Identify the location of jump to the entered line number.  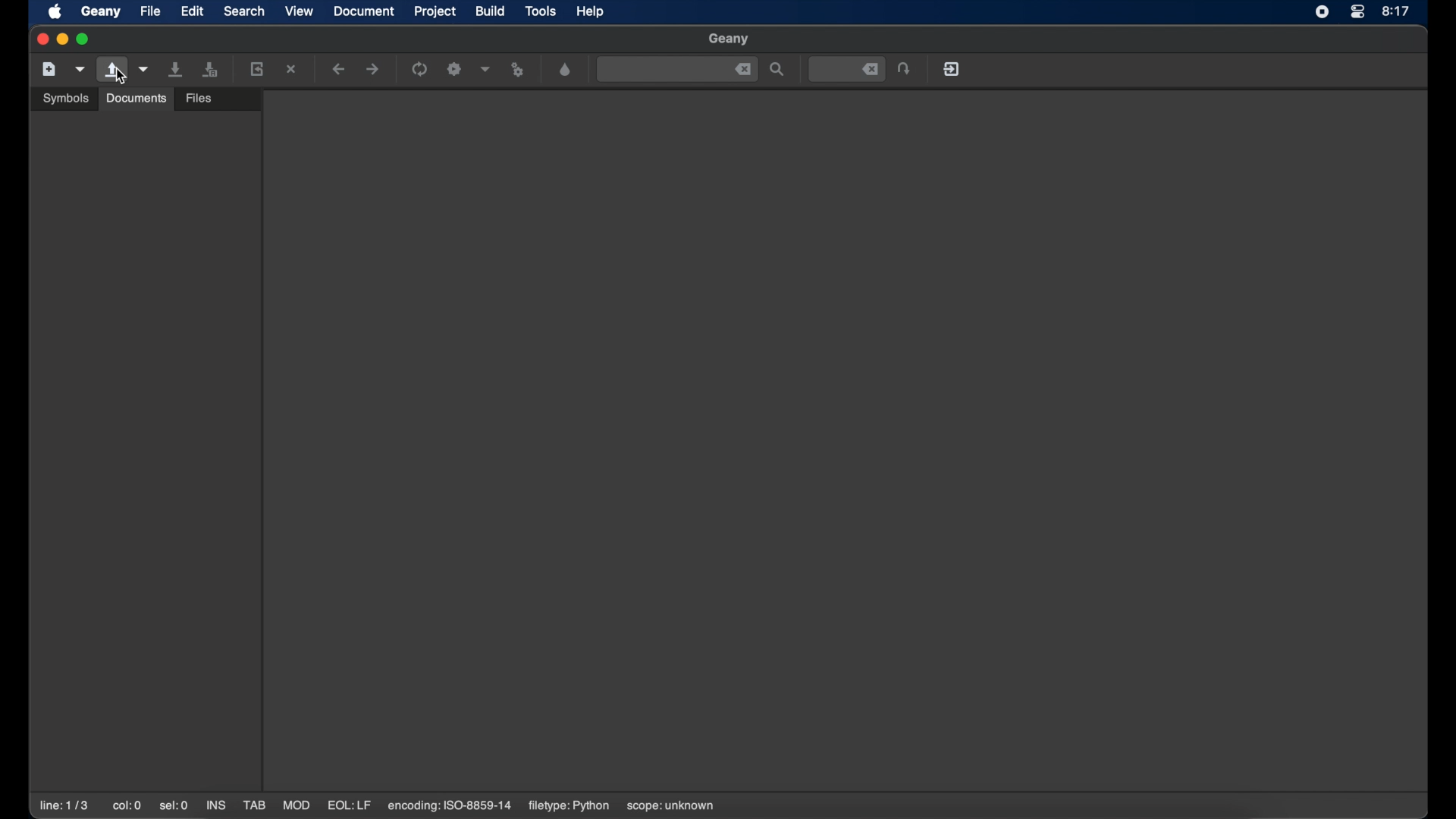
(904, 68).